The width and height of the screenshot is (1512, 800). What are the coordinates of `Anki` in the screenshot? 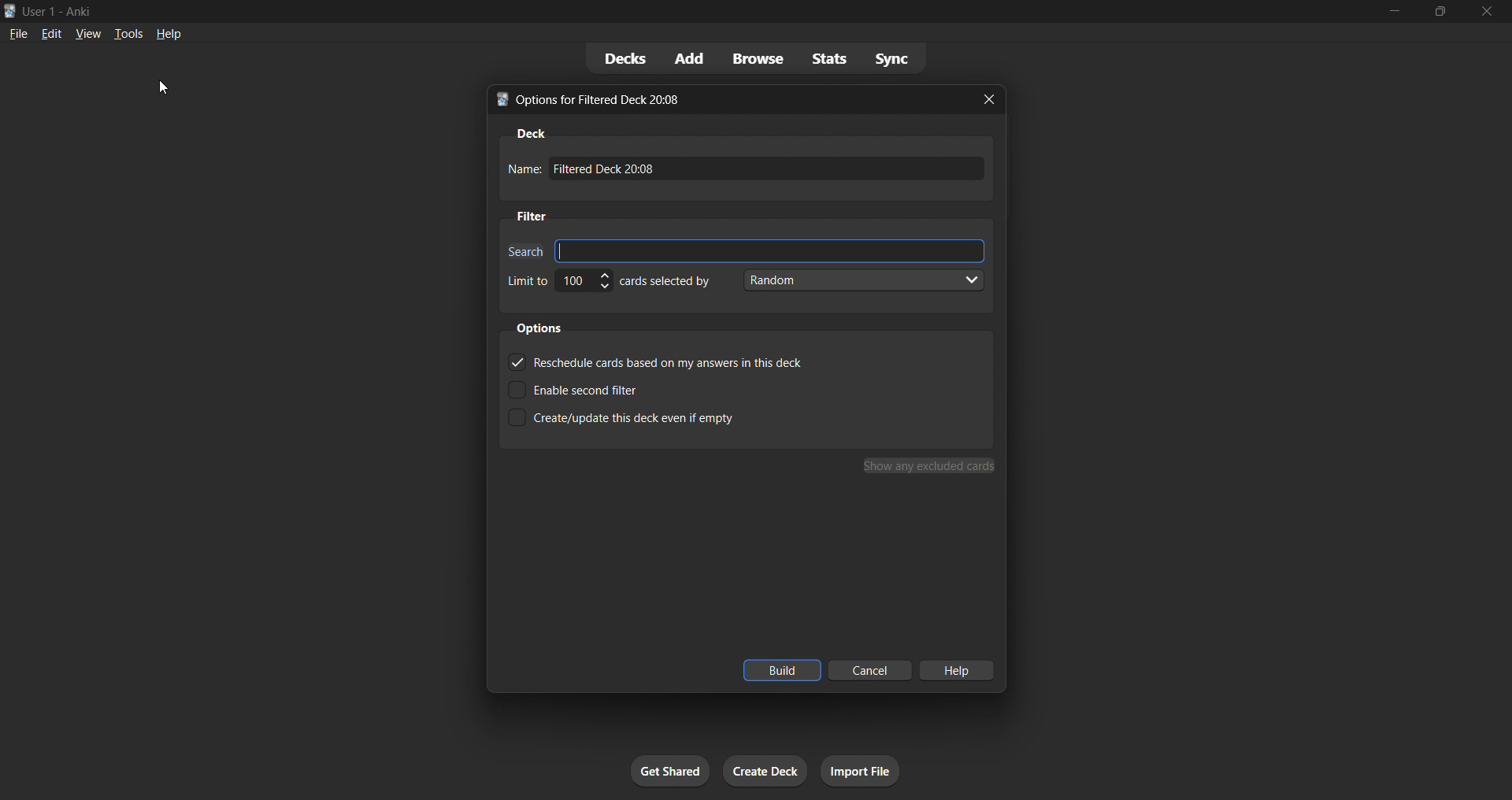 It's located at (78, 9).